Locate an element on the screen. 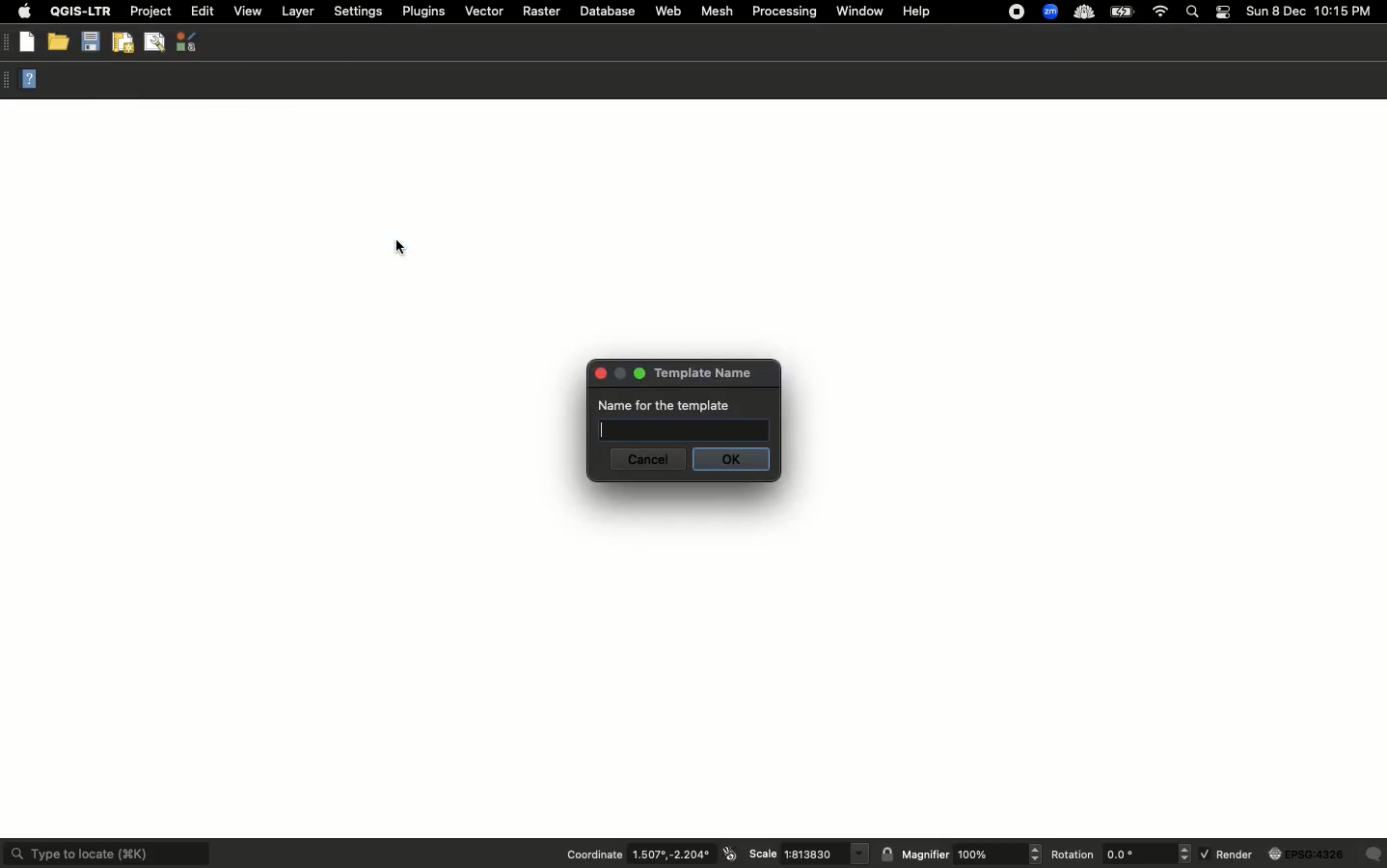 This screenshot has height=868, width=1387. Mesh is located at coordinates (718, 12).